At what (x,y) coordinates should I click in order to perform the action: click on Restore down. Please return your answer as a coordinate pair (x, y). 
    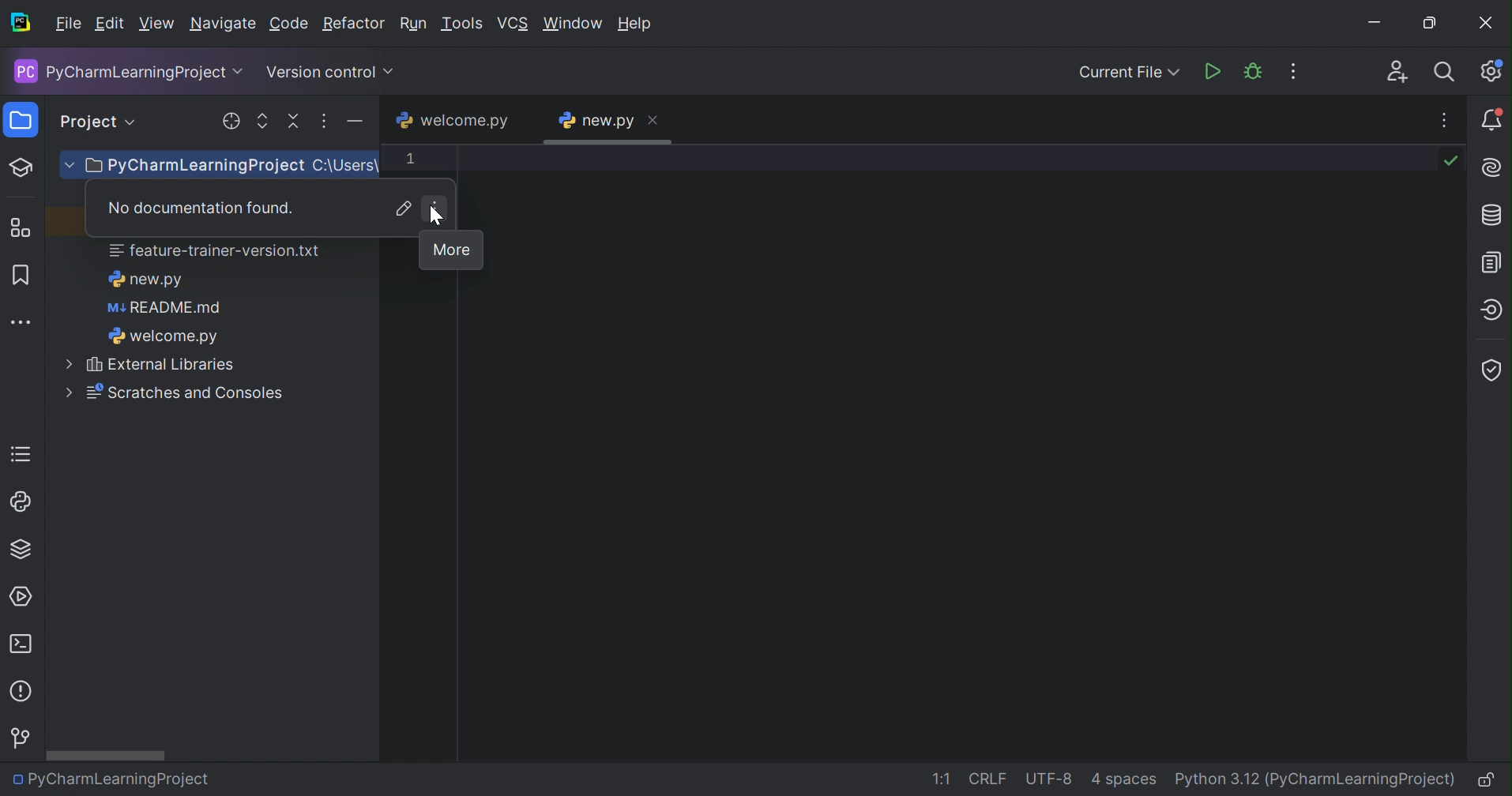
    Looking at the image, I should click on (1435, 24).